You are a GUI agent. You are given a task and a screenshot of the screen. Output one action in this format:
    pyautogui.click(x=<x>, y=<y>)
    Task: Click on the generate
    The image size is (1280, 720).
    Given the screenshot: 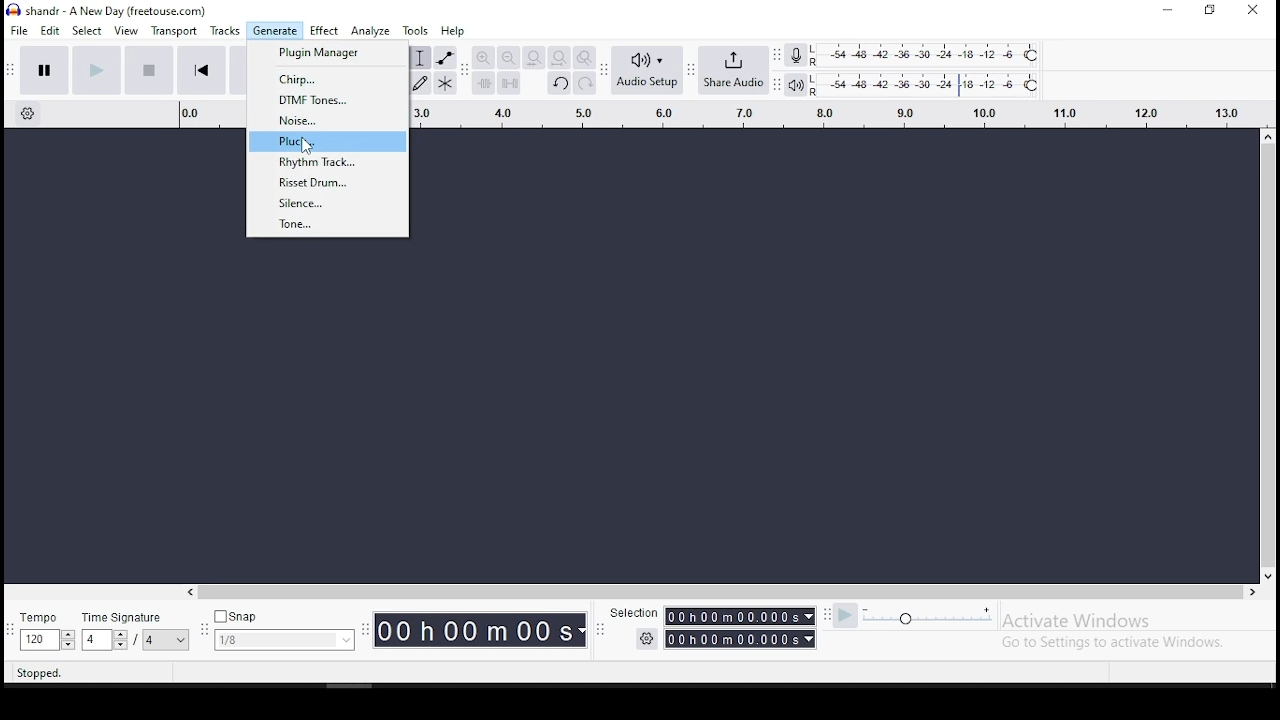 What is the action you would take?
    pyautogui.click(x=276, y=31)
    